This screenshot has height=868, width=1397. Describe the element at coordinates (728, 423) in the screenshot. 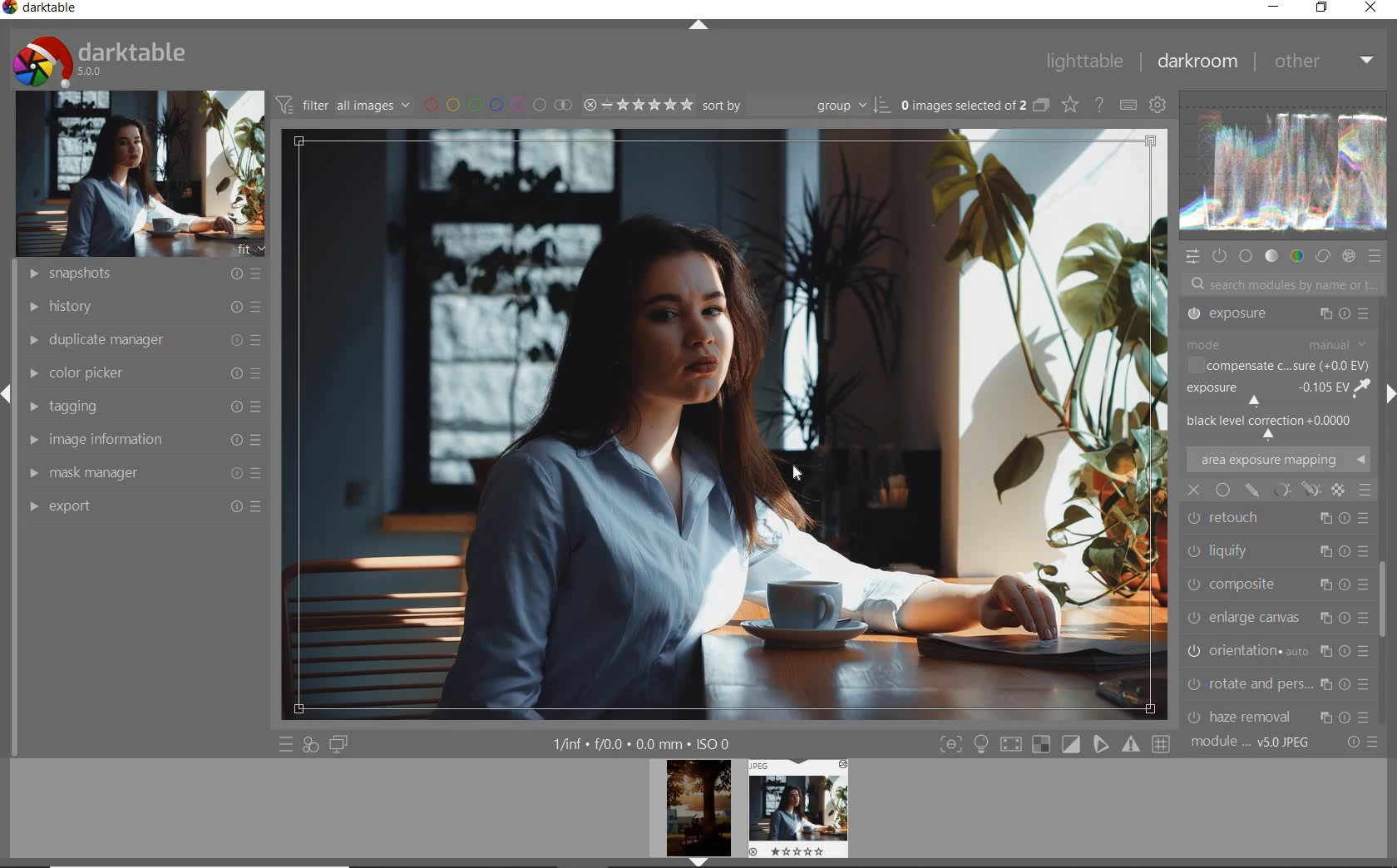

I see `SELECTED IMAGE` at that location.